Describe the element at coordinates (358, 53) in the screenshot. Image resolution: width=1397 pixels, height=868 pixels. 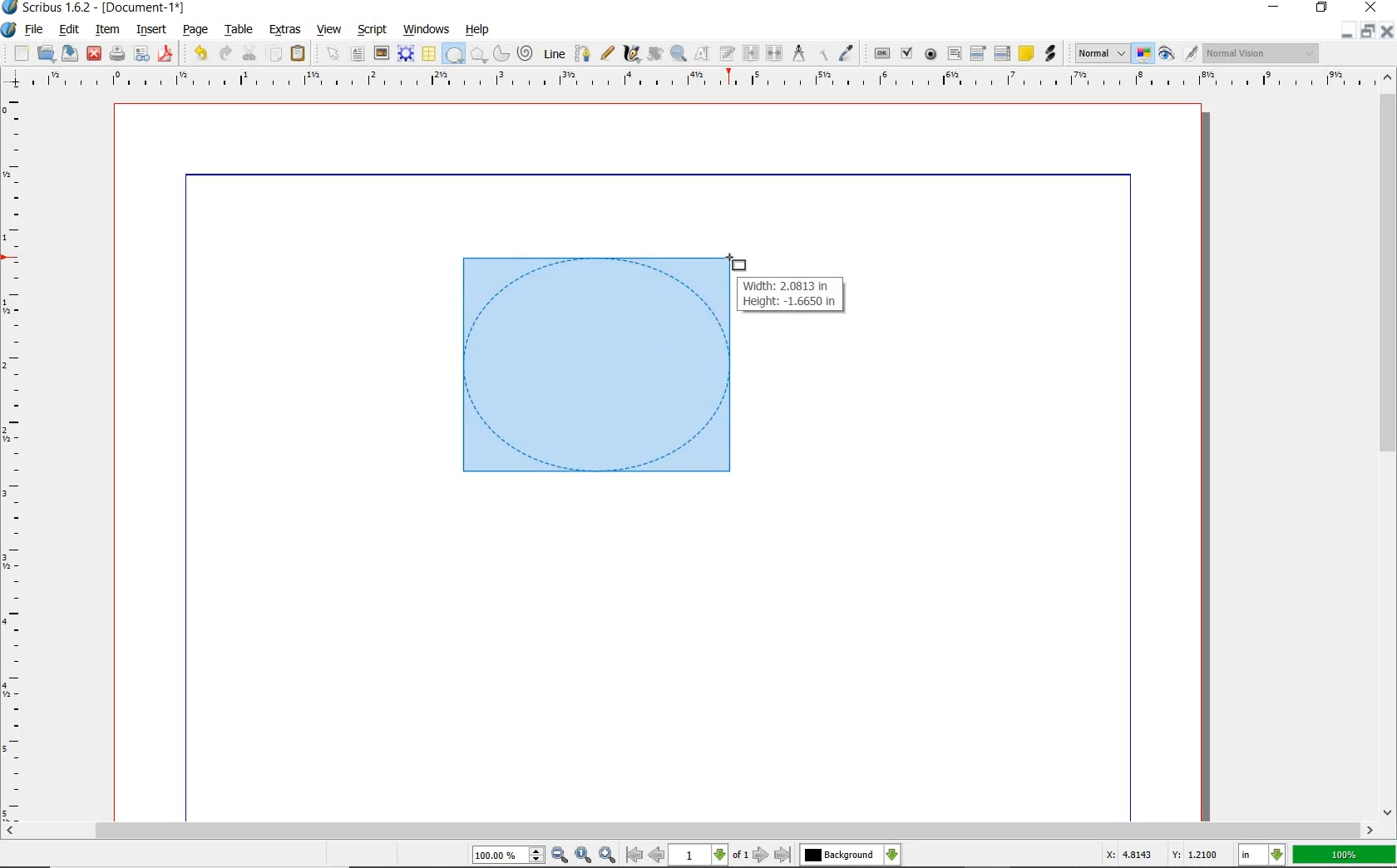
I see `TEXT FRAME` at that location.